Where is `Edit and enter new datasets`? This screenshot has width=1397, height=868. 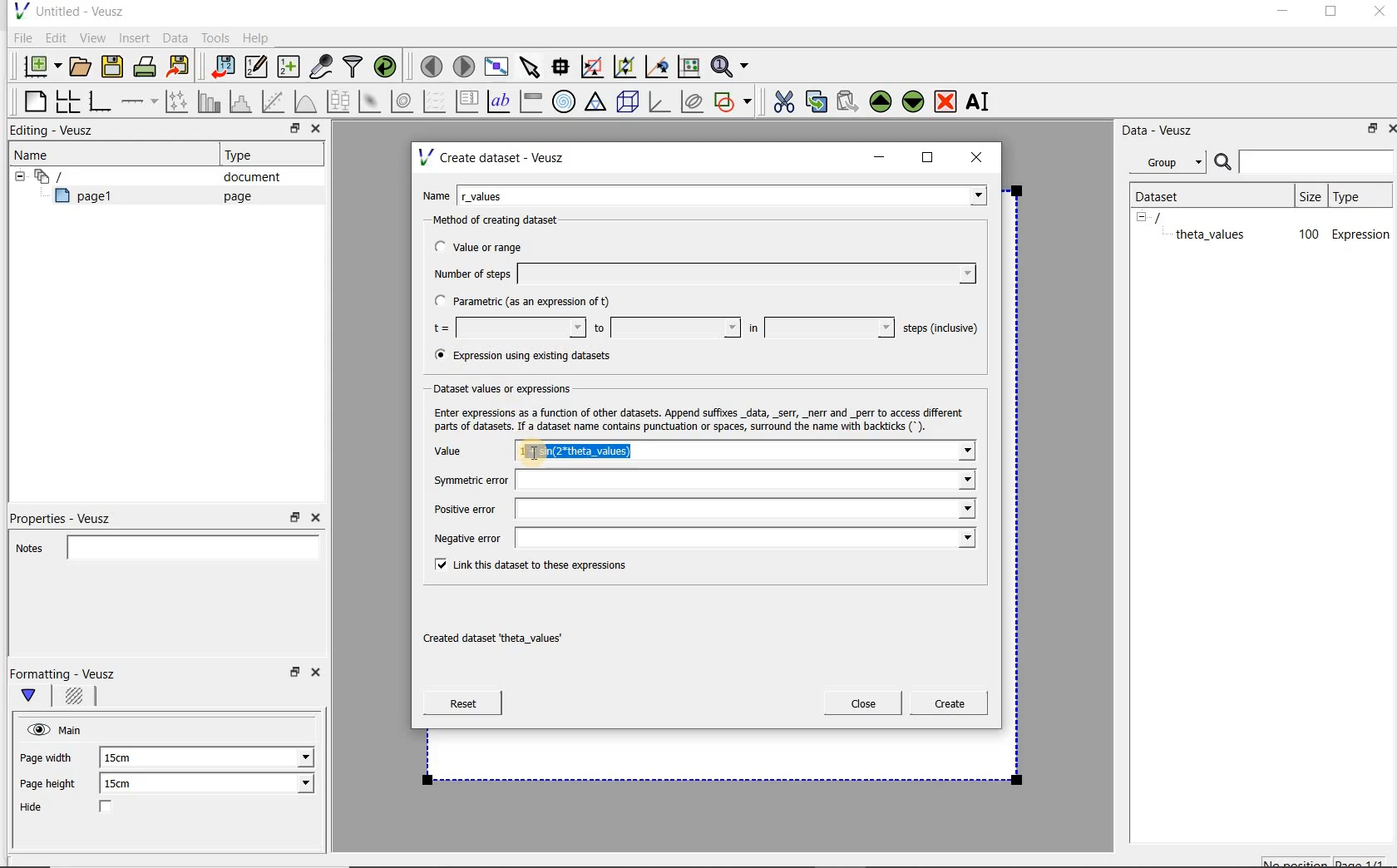 Edit and enter new datasets is located at coordinates (257, 67).